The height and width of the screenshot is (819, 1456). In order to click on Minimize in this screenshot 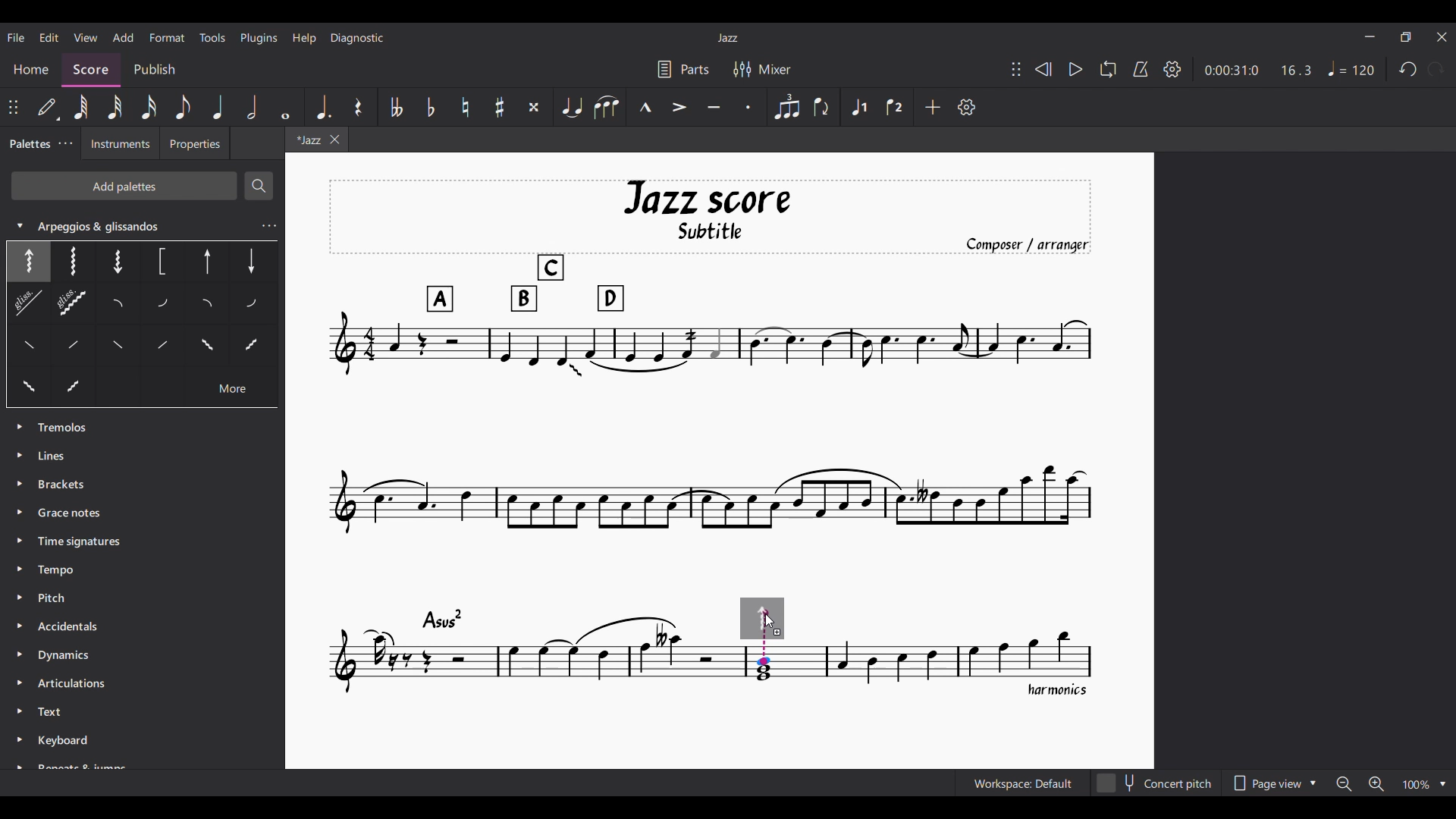, I will do `click(1370, 36)`.